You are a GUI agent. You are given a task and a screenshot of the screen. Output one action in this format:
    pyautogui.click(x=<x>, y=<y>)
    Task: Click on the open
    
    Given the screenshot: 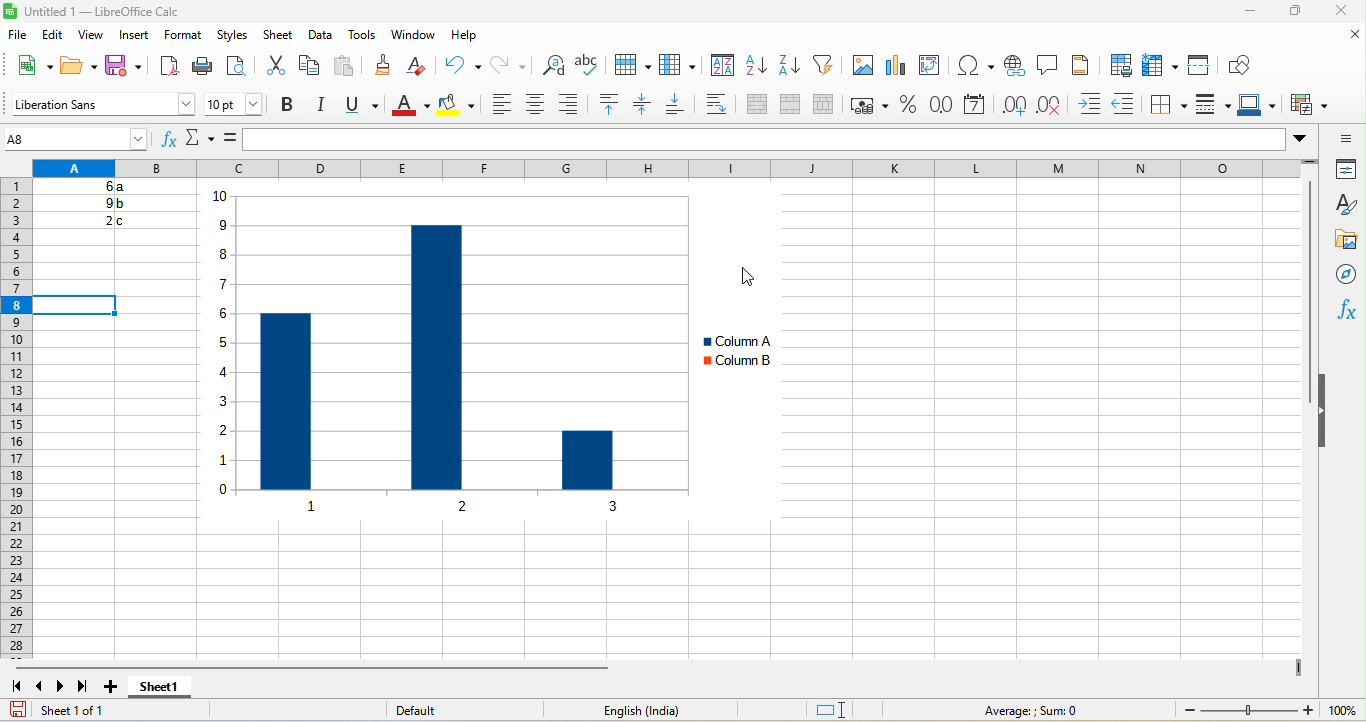 What is the action you would take?
    pyautogui.click(x=79, y=64)
    